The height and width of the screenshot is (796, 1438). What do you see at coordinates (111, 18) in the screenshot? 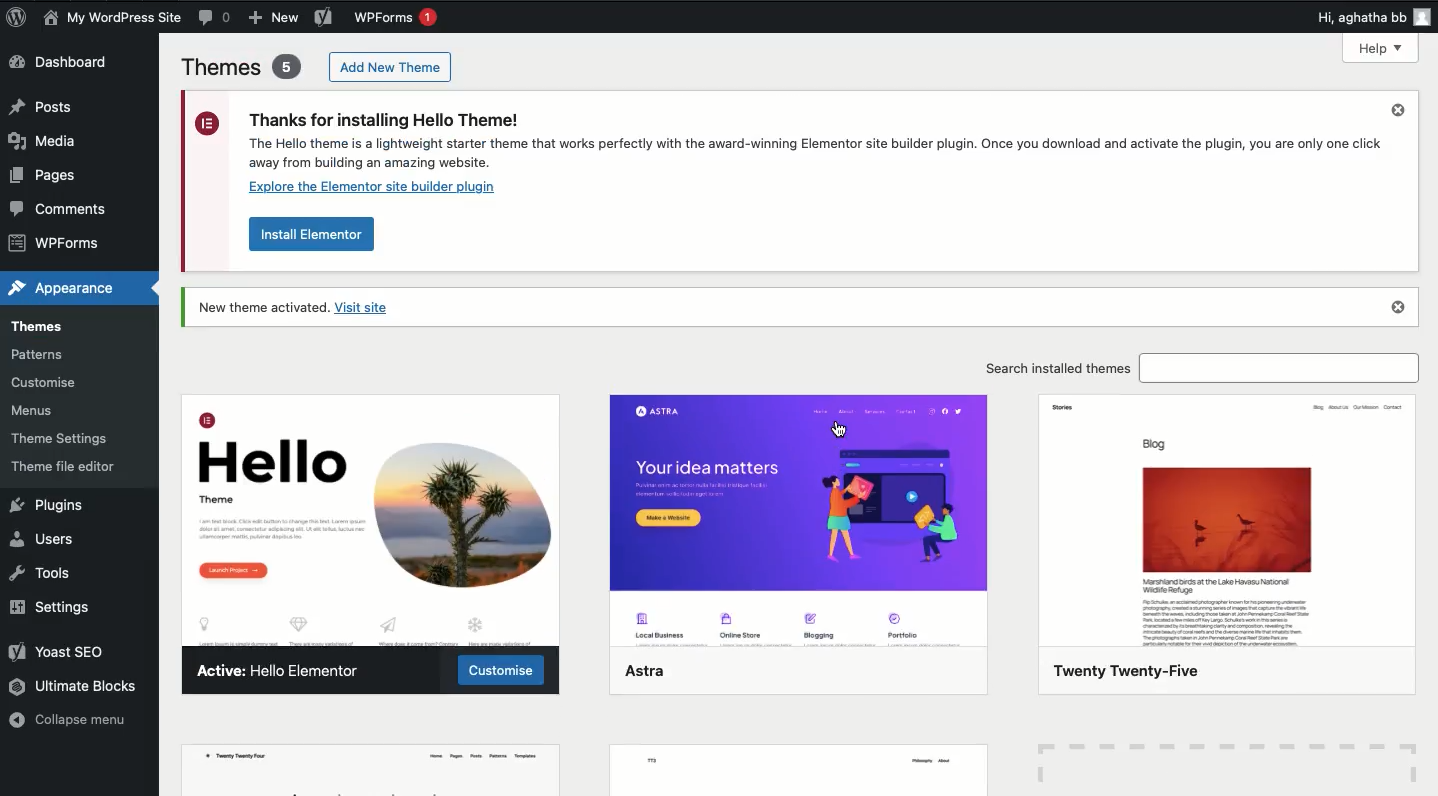
I see `Name` at bounding box center [111, 18].